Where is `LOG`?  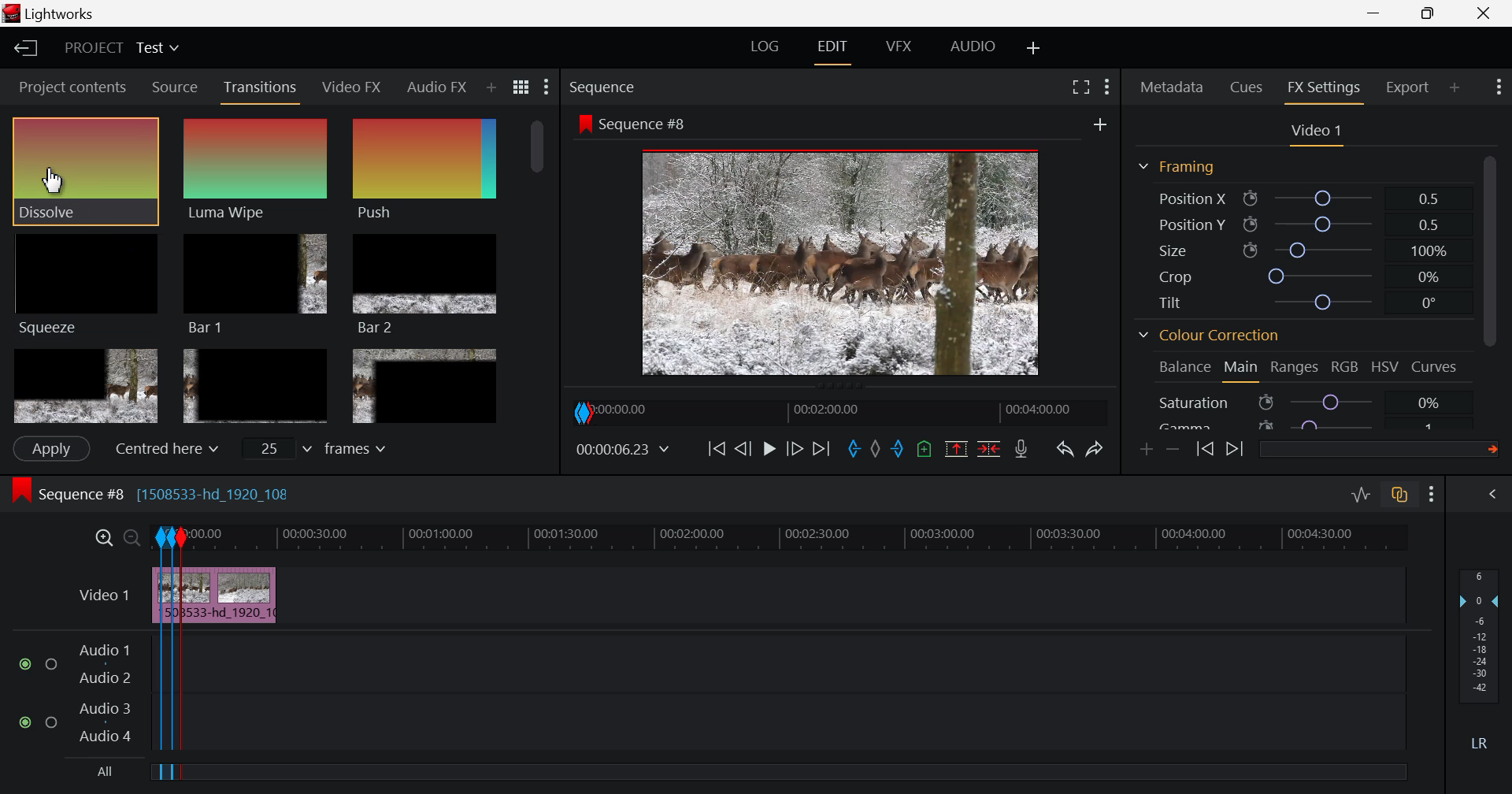 LOG is located at coordinates (765, 49).